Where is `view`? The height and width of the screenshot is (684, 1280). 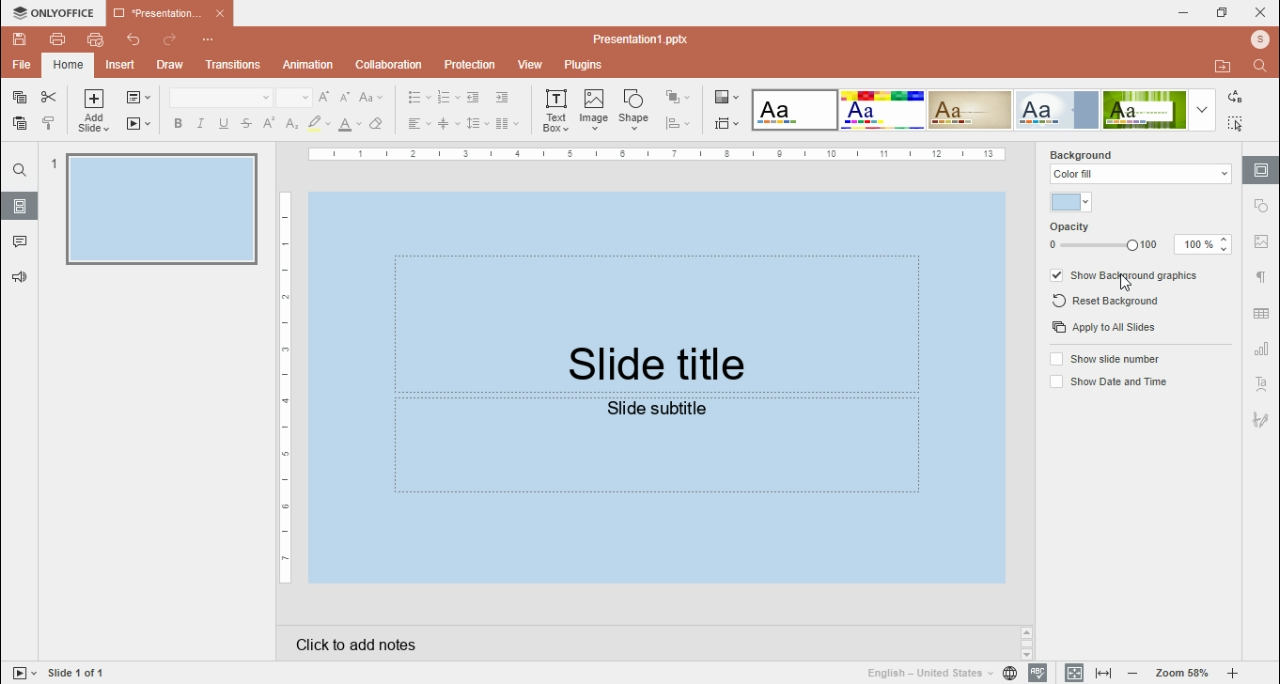
view is located at coordinates (530, 63).